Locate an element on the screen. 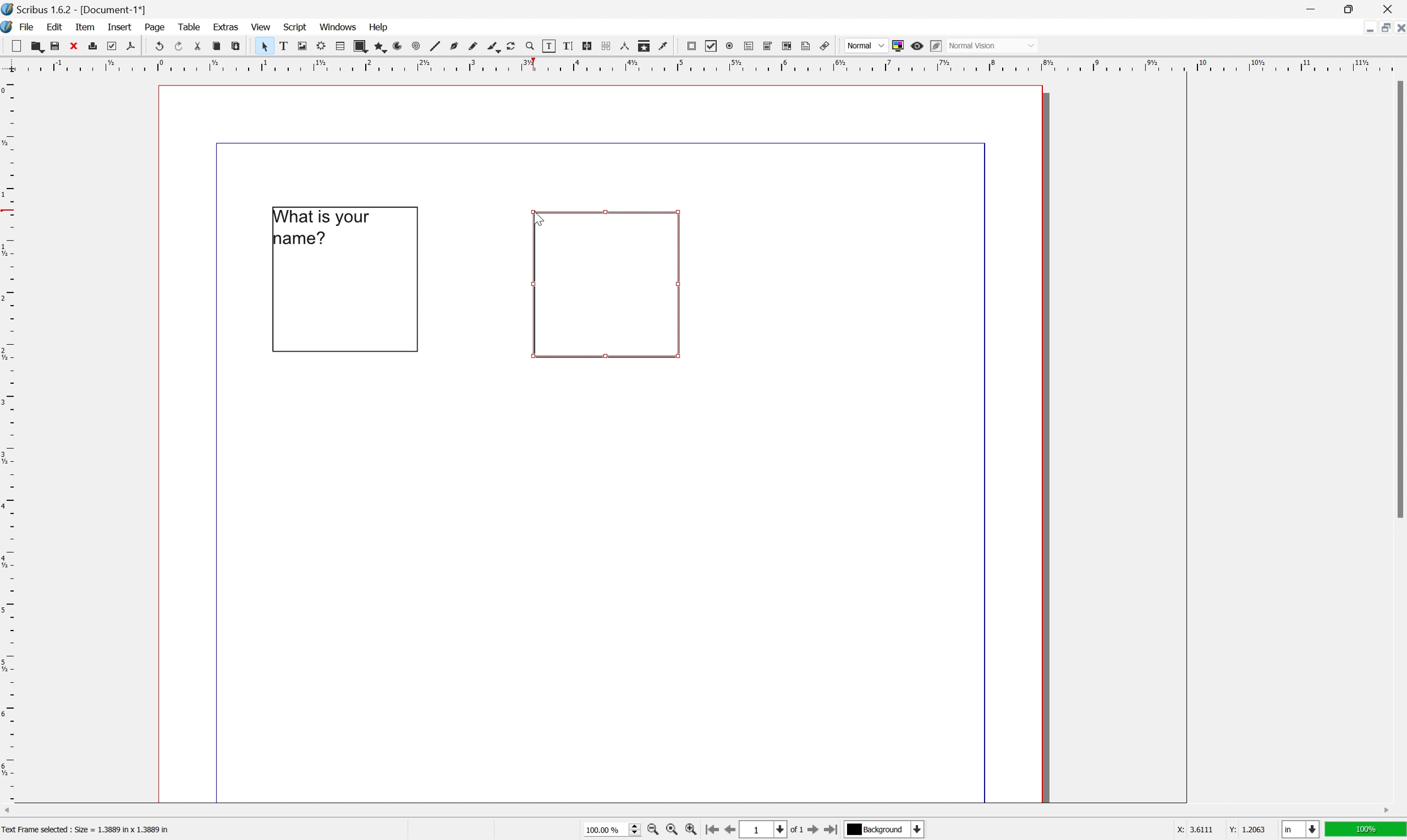 The width and height of the screenshot is (1407, 840). select current layer is located at coordinates (885, 830).